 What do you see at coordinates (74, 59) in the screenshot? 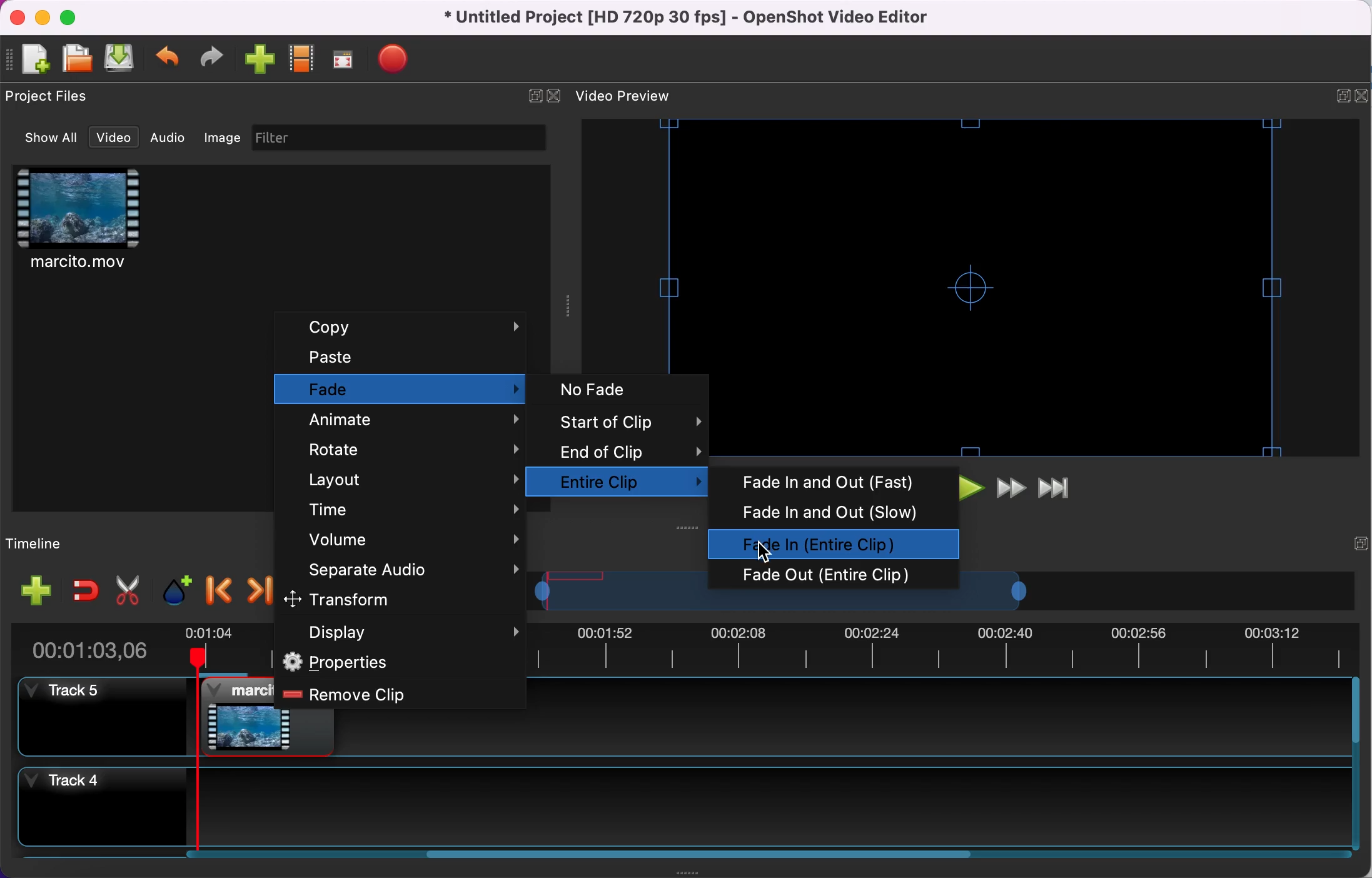
I see `open file` at bounding box center [74, 59].